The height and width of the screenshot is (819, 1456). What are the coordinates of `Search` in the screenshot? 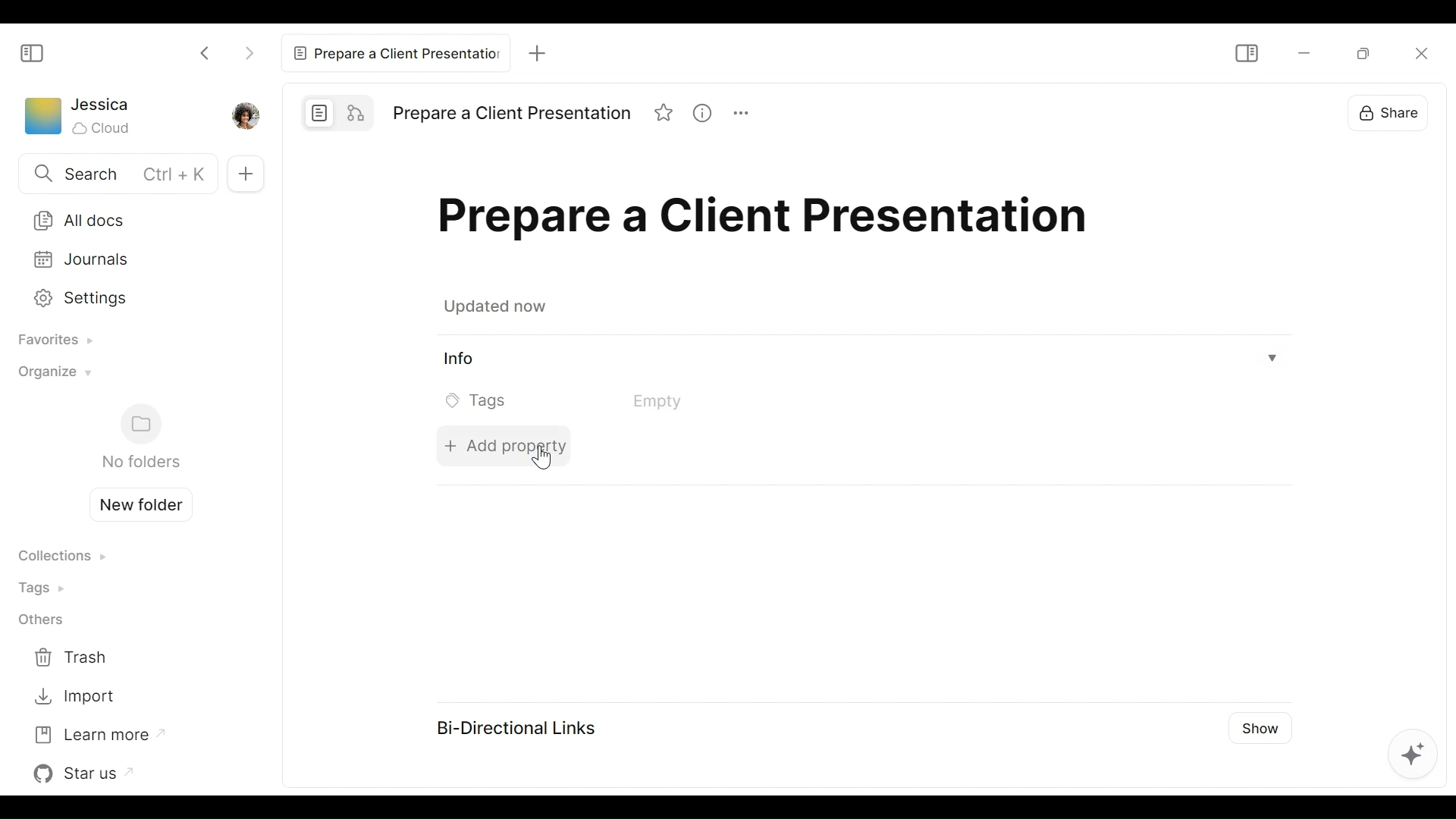 It's located at (115, 175).